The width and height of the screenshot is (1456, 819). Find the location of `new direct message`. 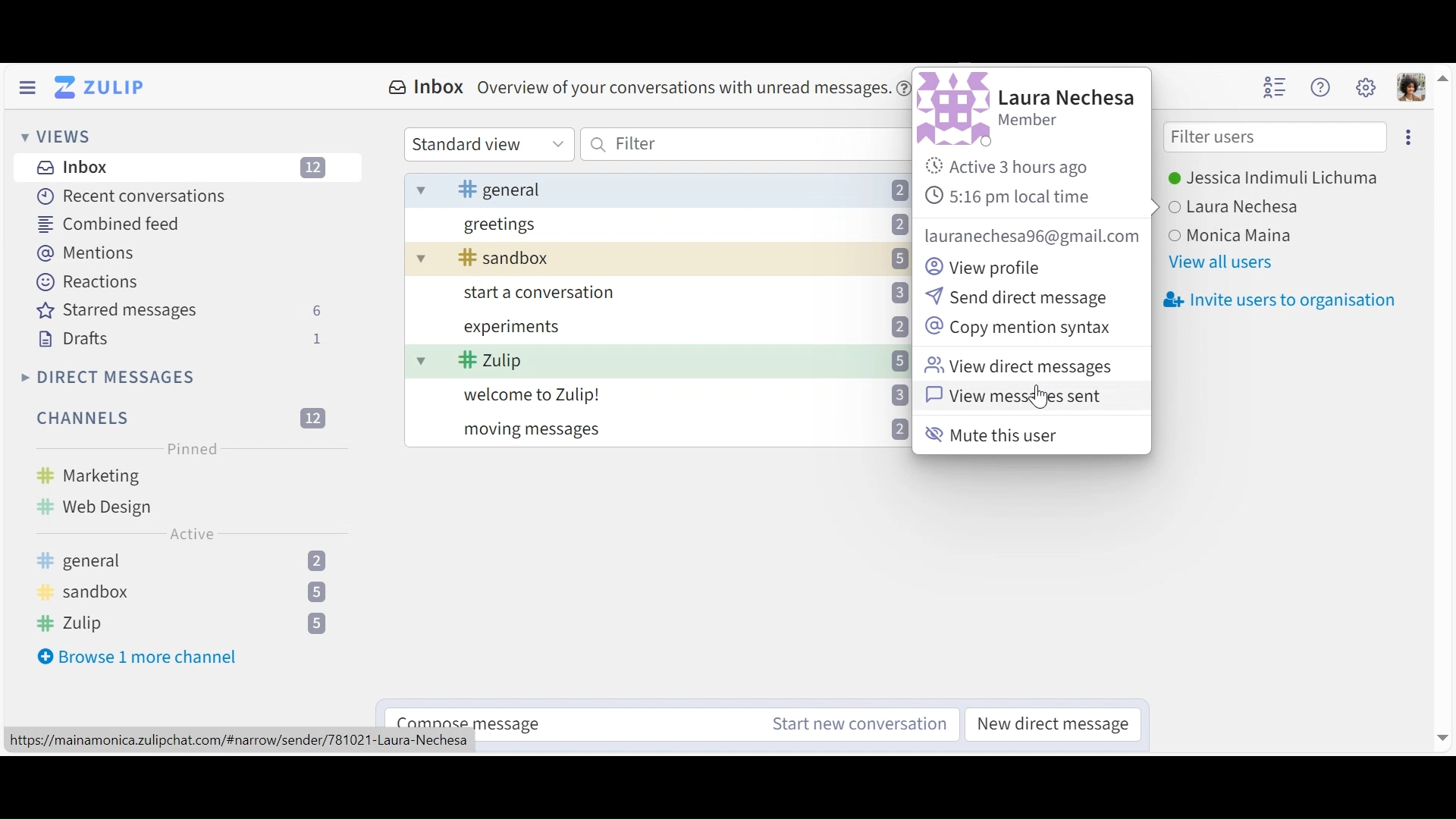

new direct message is located at coordinates (1055, 725).